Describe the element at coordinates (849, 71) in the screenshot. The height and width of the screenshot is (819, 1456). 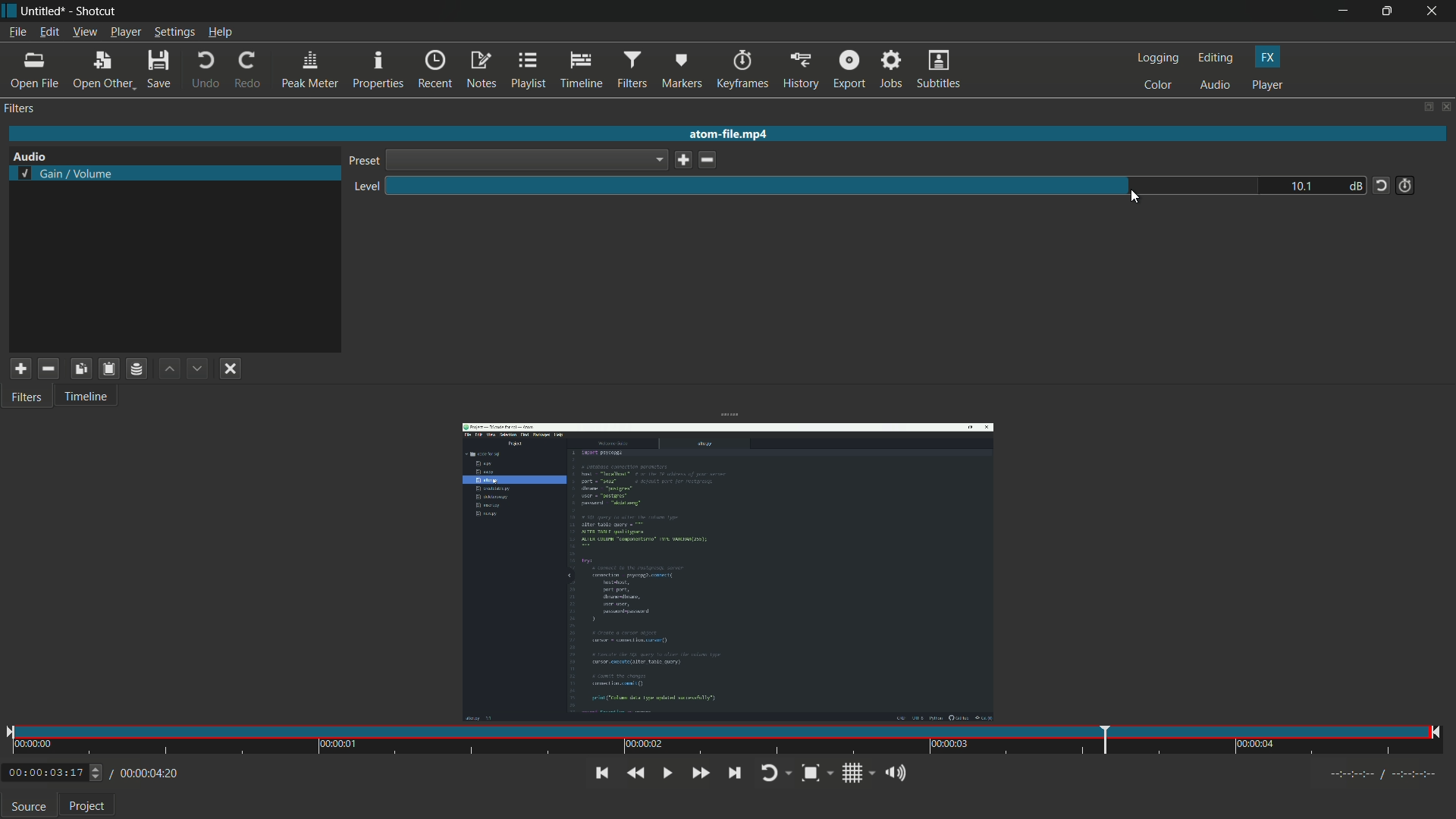
I see `export` at that location.